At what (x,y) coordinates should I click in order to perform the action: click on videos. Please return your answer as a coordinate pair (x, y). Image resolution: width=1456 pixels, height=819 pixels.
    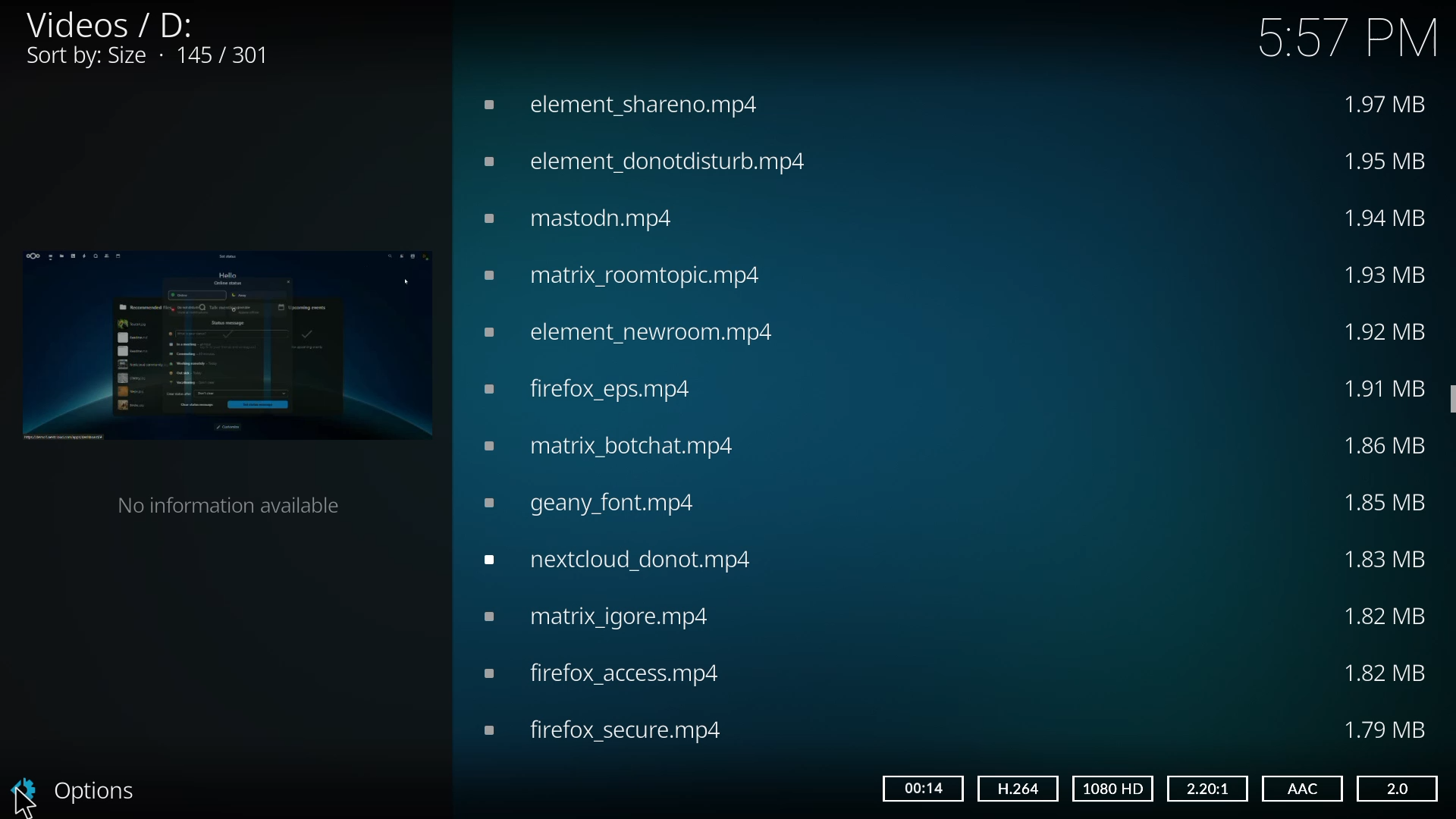
    Looking at the image, I should click on (108, 24).